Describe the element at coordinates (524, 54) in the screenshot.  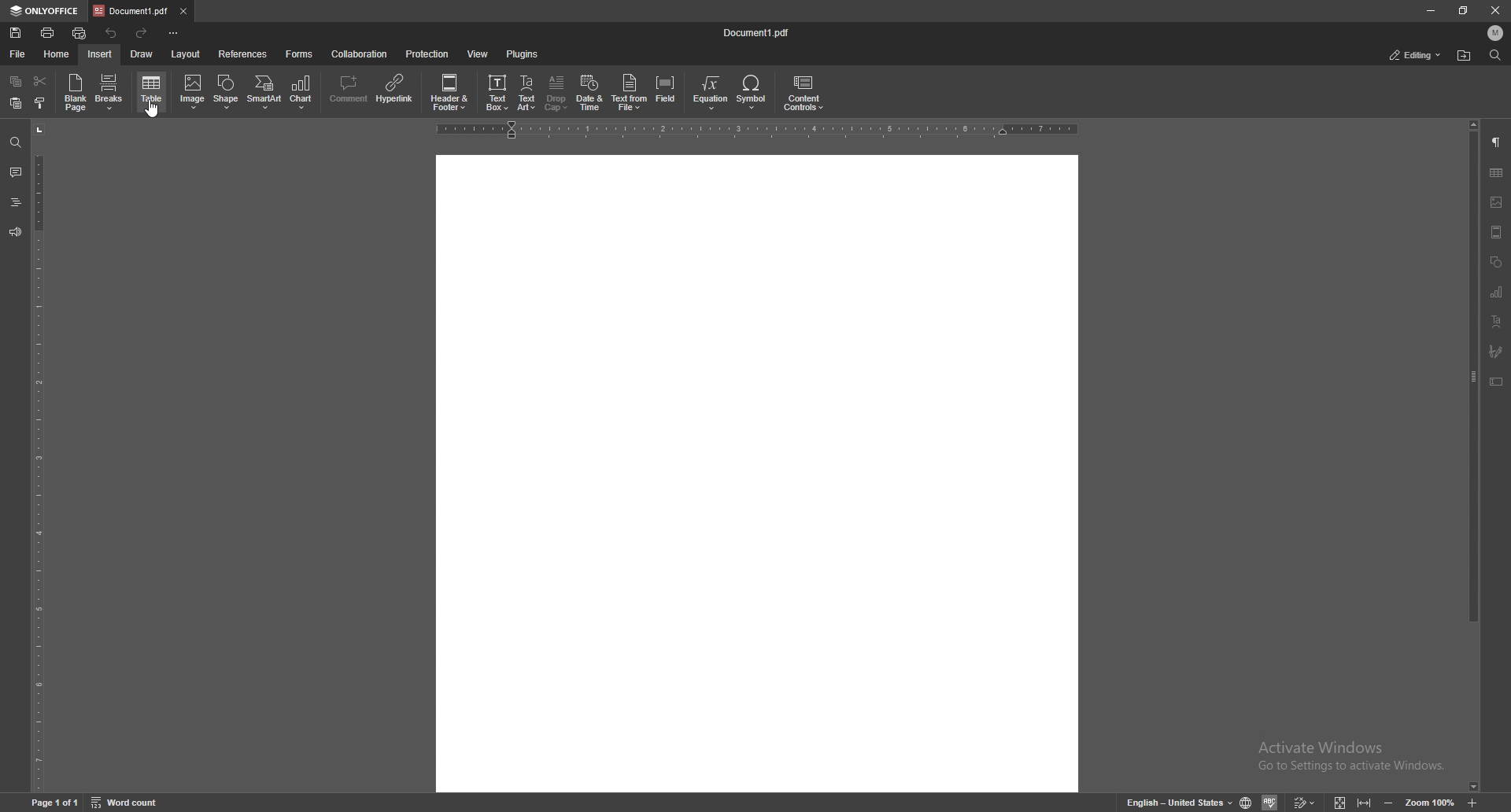
I see `plugins` at that location.